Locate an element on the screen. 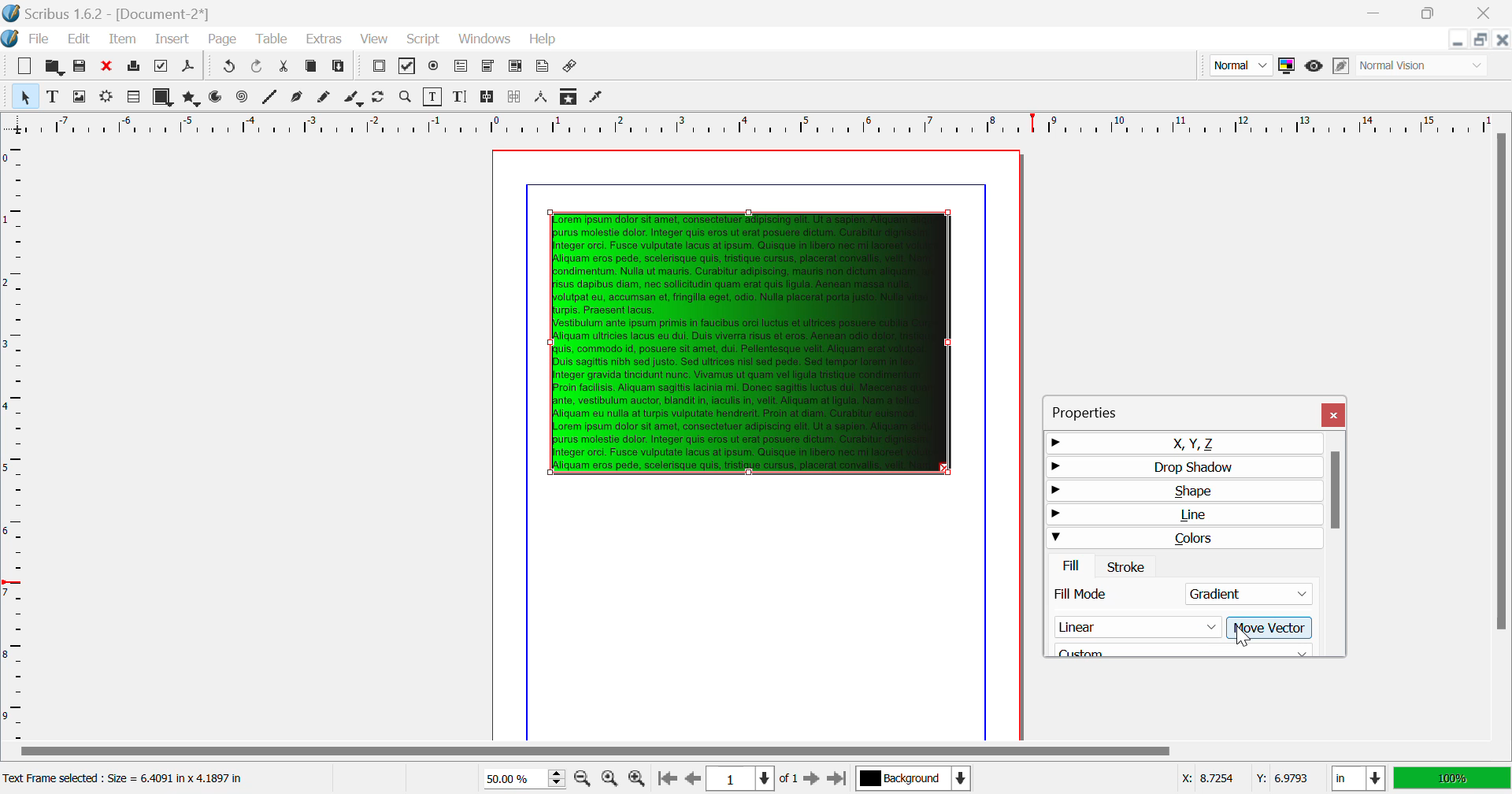  View is located at coordinates (373, 39).